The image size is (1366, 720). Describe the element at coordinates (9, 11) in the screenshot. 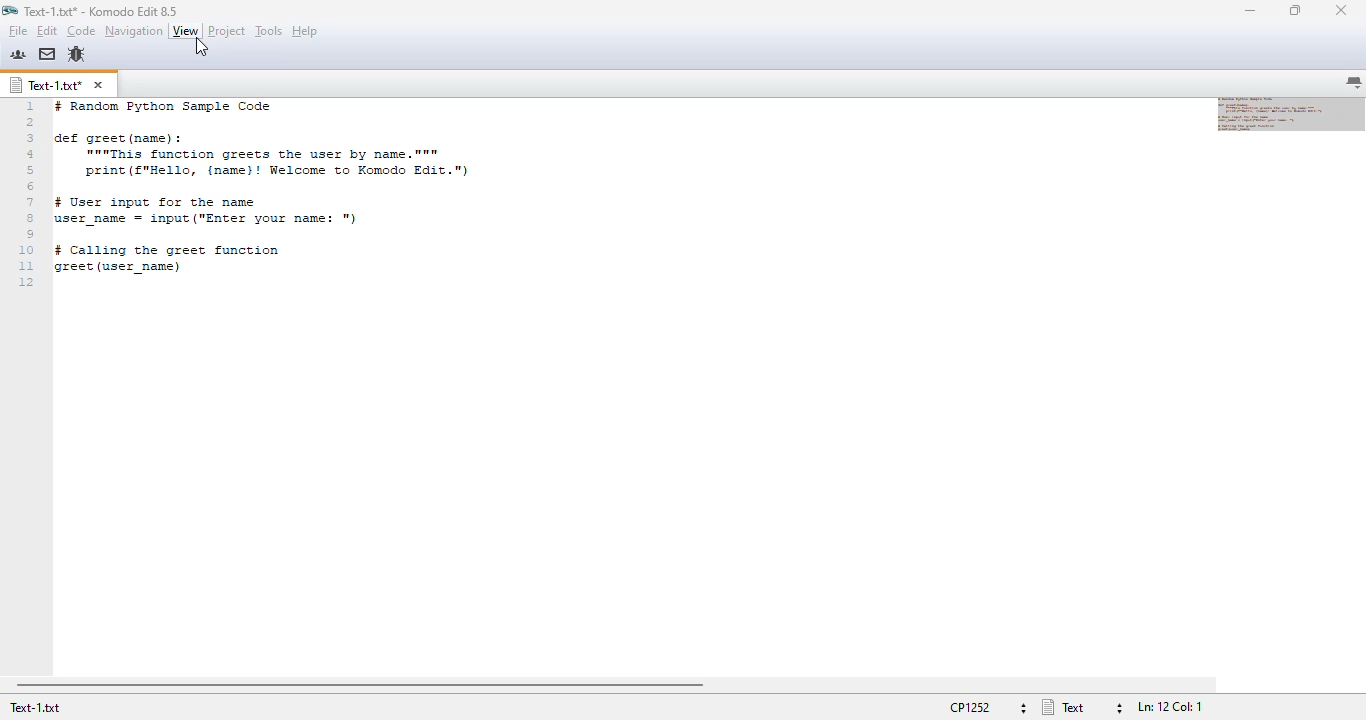

I see `logo` at that location.